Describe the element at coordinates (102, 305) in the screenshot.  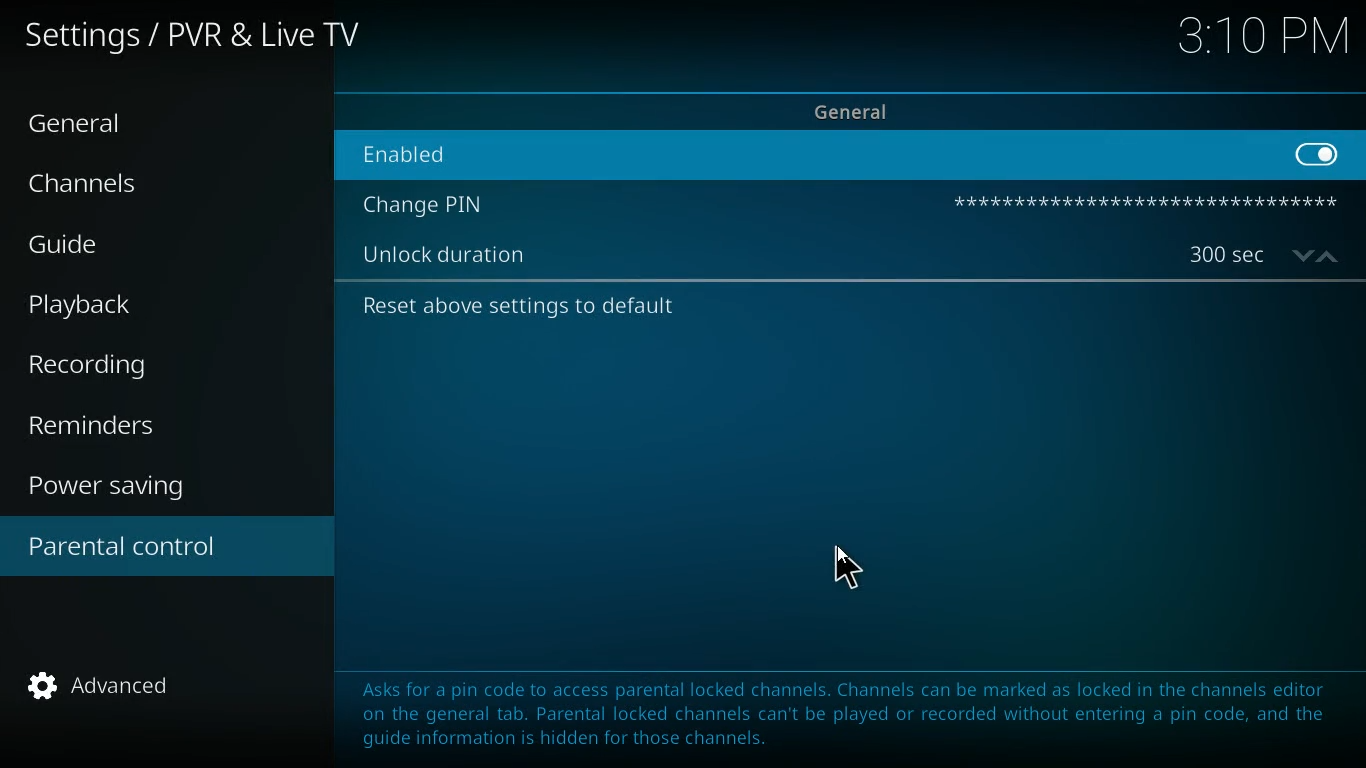
I see `palyback` at that location.